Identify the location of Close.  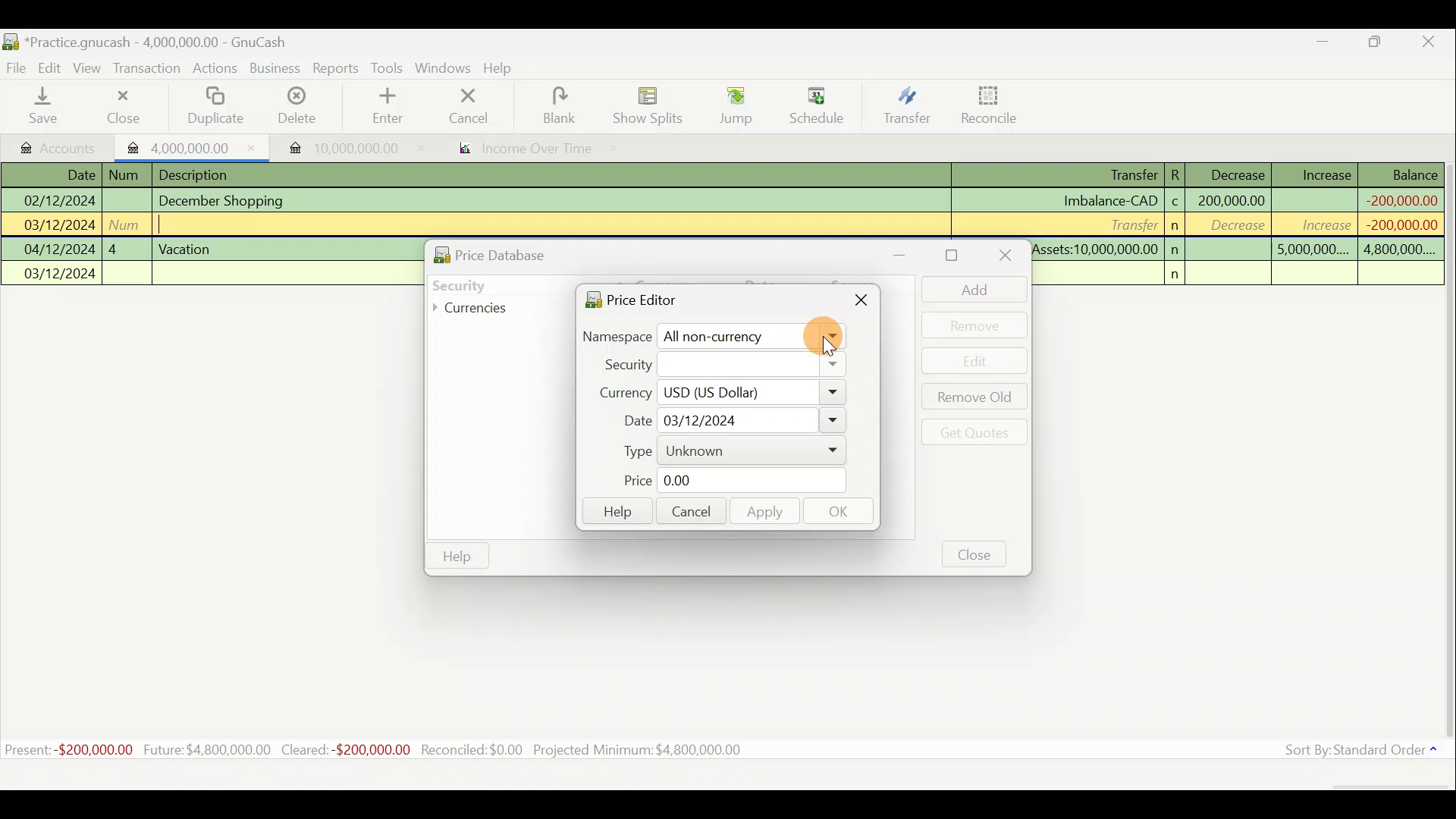
(1433, 42).